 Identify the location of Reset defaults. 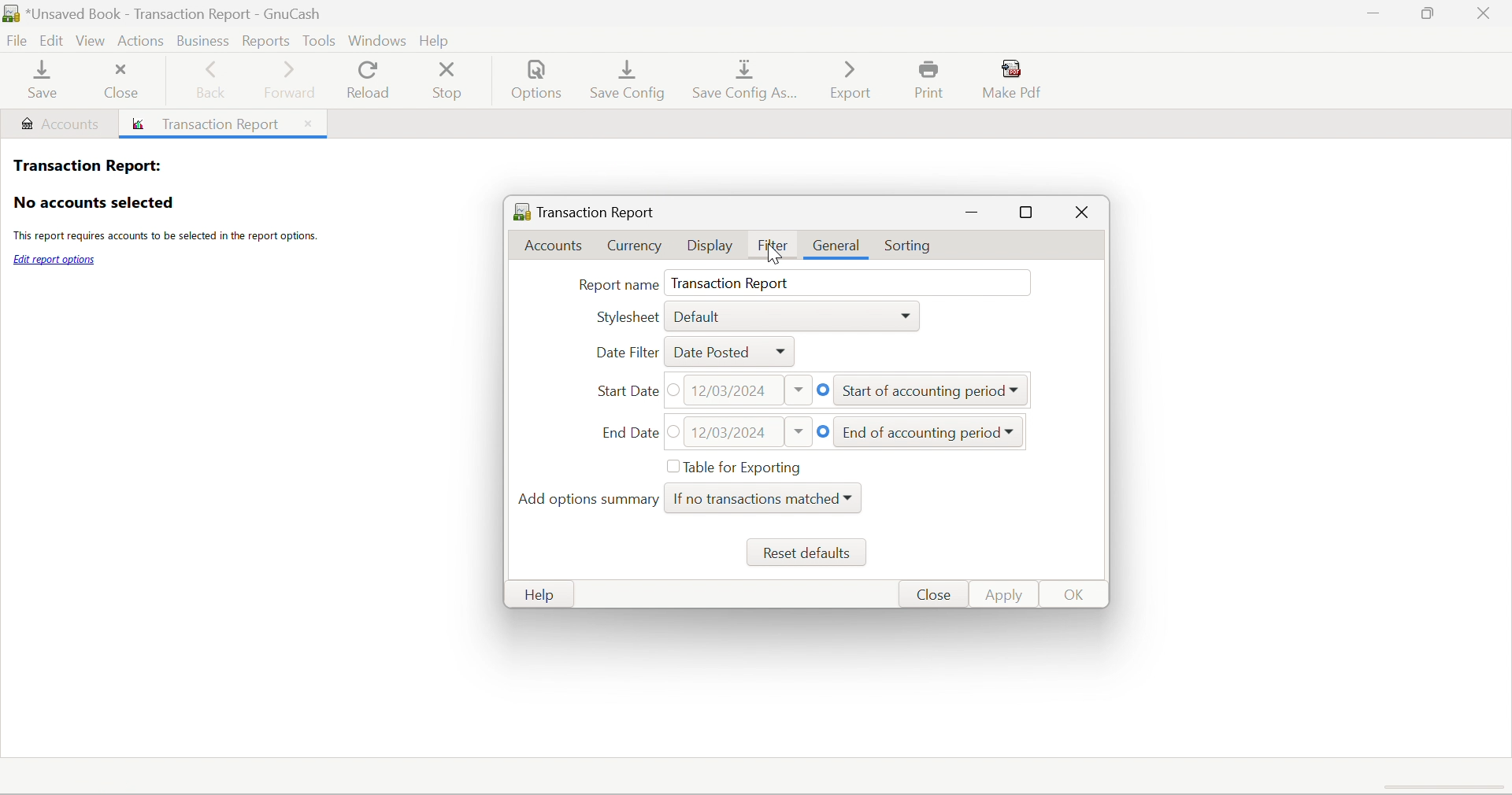
(810, 556).